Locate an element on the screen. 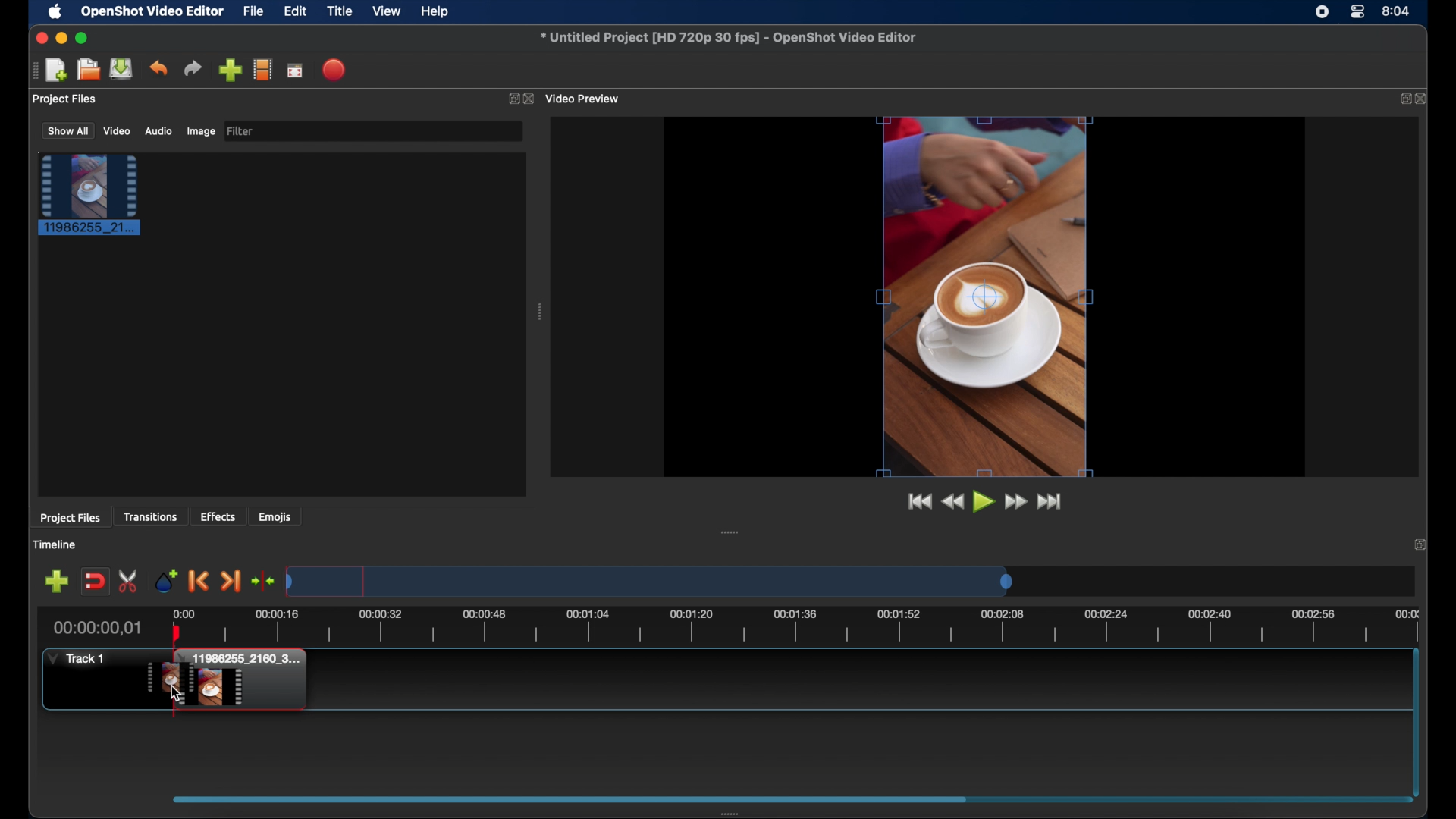 The height and width of the screenshot is (819, 1456). expand is located at coordinates (512, 99).